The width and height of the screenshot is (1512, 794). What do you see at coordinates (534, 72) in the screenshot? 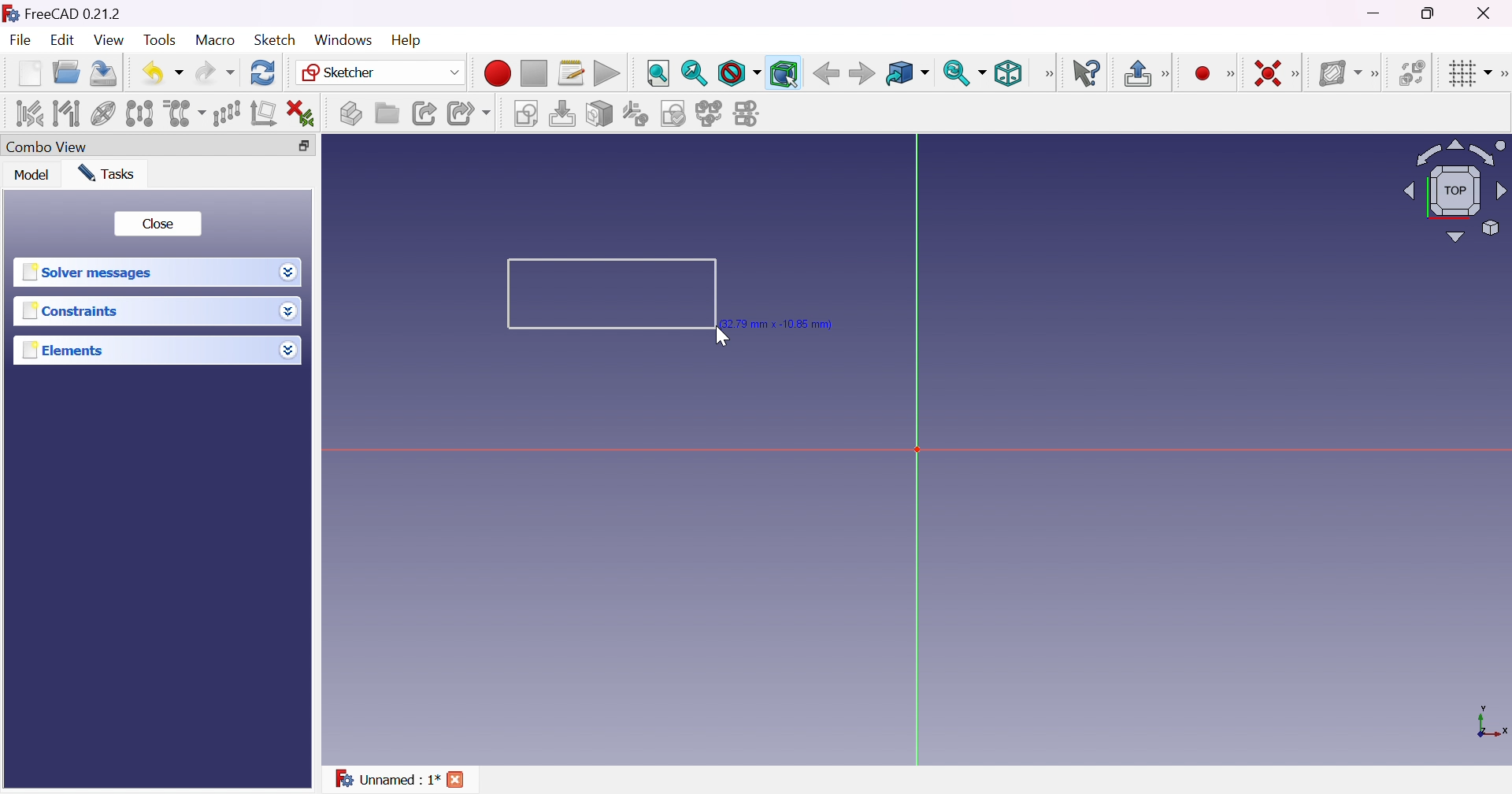
I see `Stop macro recording...` at bounding box center [534, 72].